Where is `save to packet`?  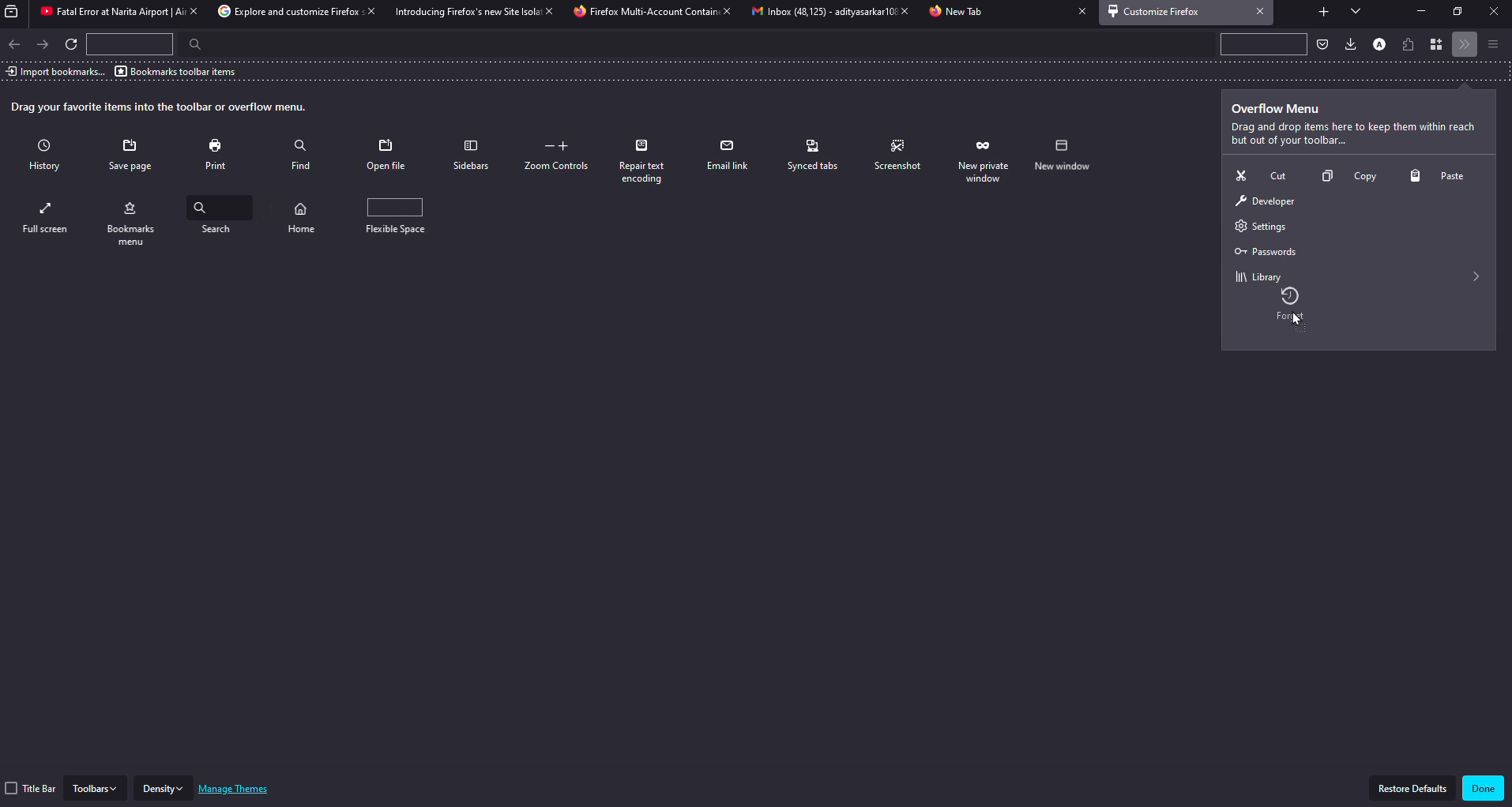
save to packet is located at coordinates (1322, 43).